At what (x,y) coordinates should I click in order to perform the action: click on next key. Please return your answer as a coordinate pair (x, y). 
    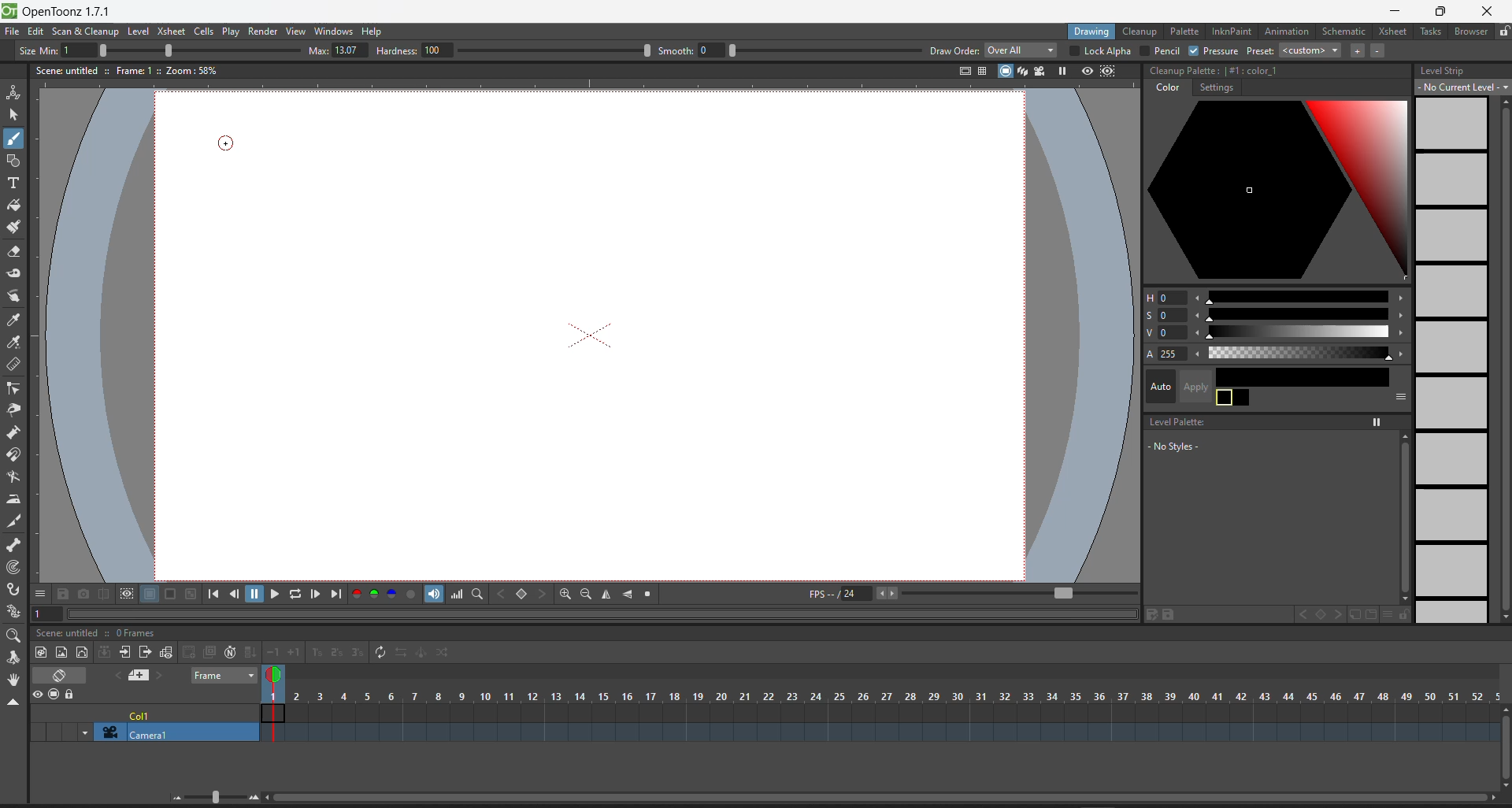
    Looking at the image, I should click on (1338, 613).